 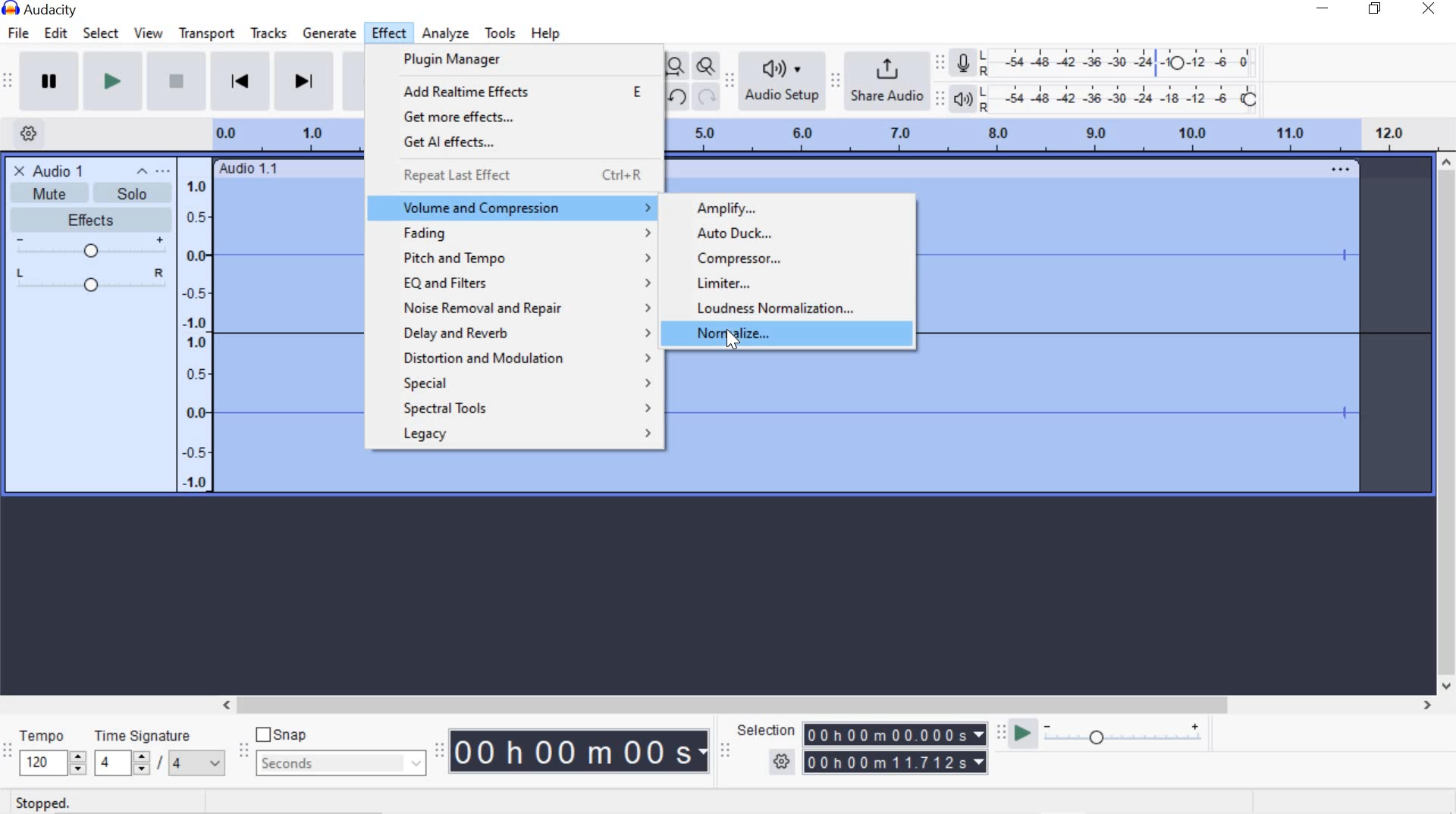 What do you see at coordinates (676, 96) in the screenshot?
I see `undo` at bounding box center [676, 96].